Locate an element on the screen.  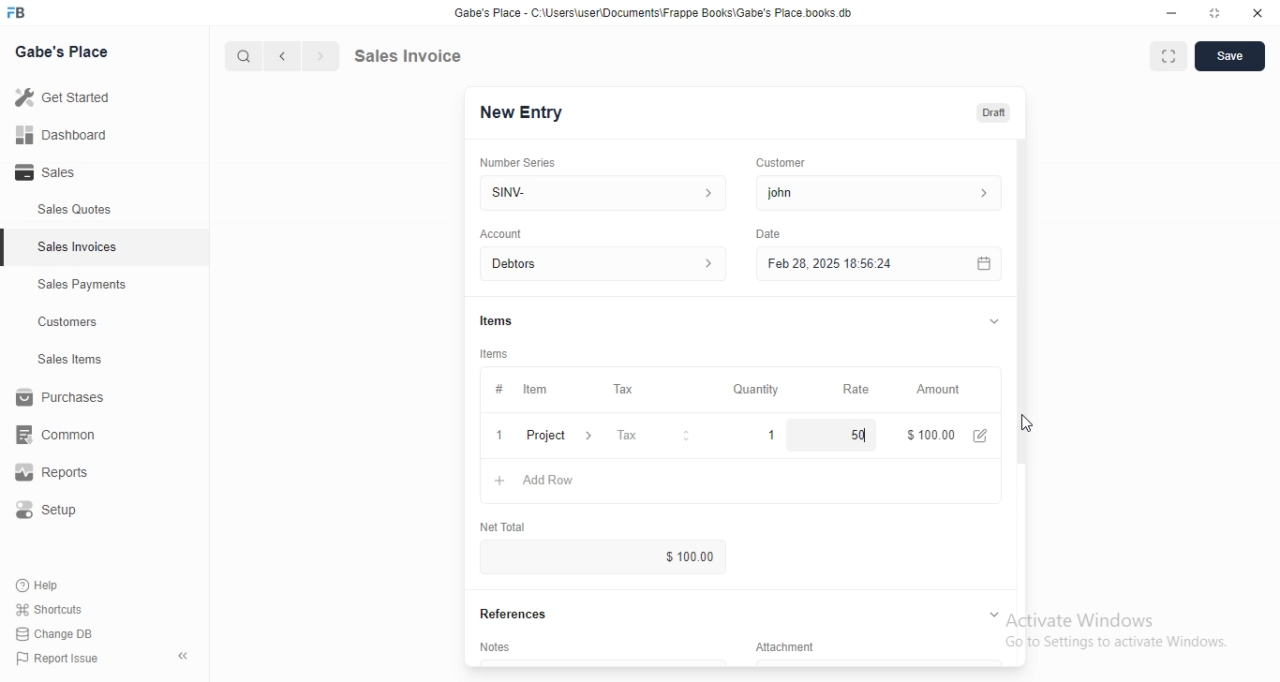
Change DB is located at coordinates (58, 635).